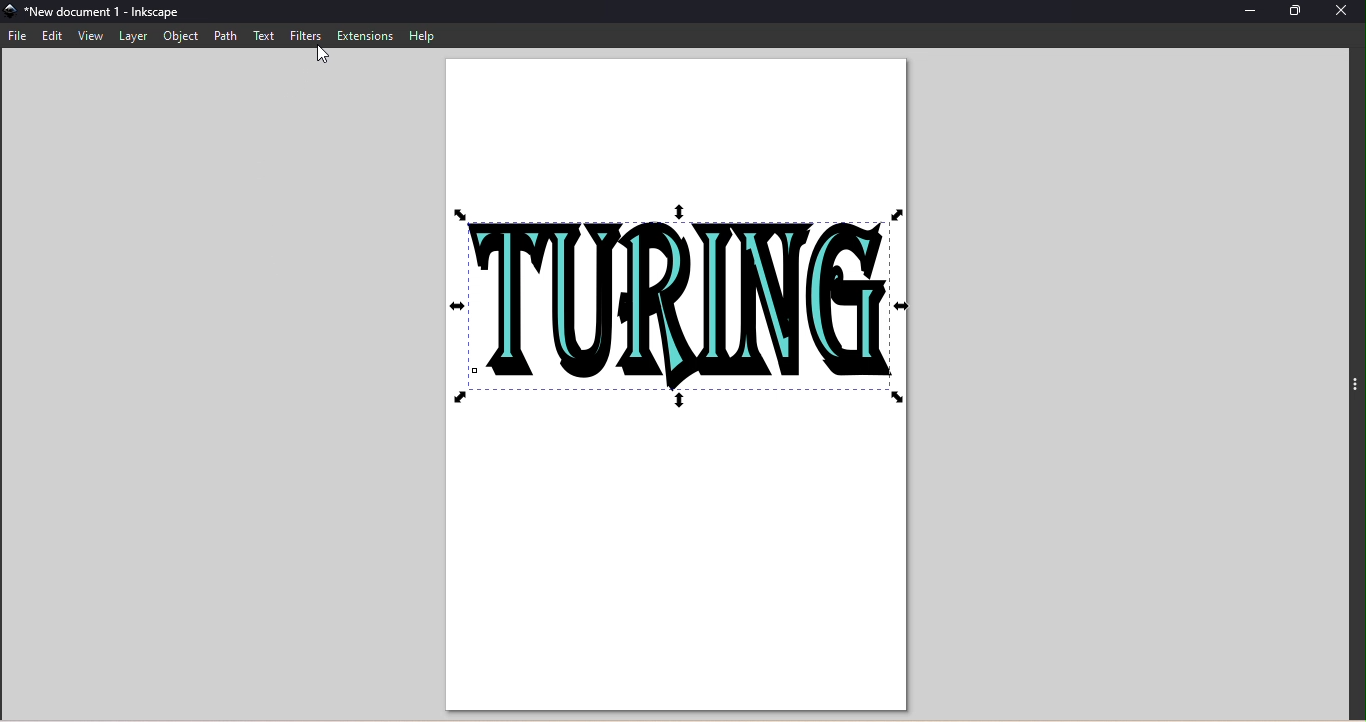 The width and height of the screenshot is (1366, 722). I want to click on Text, so click(266, 37).